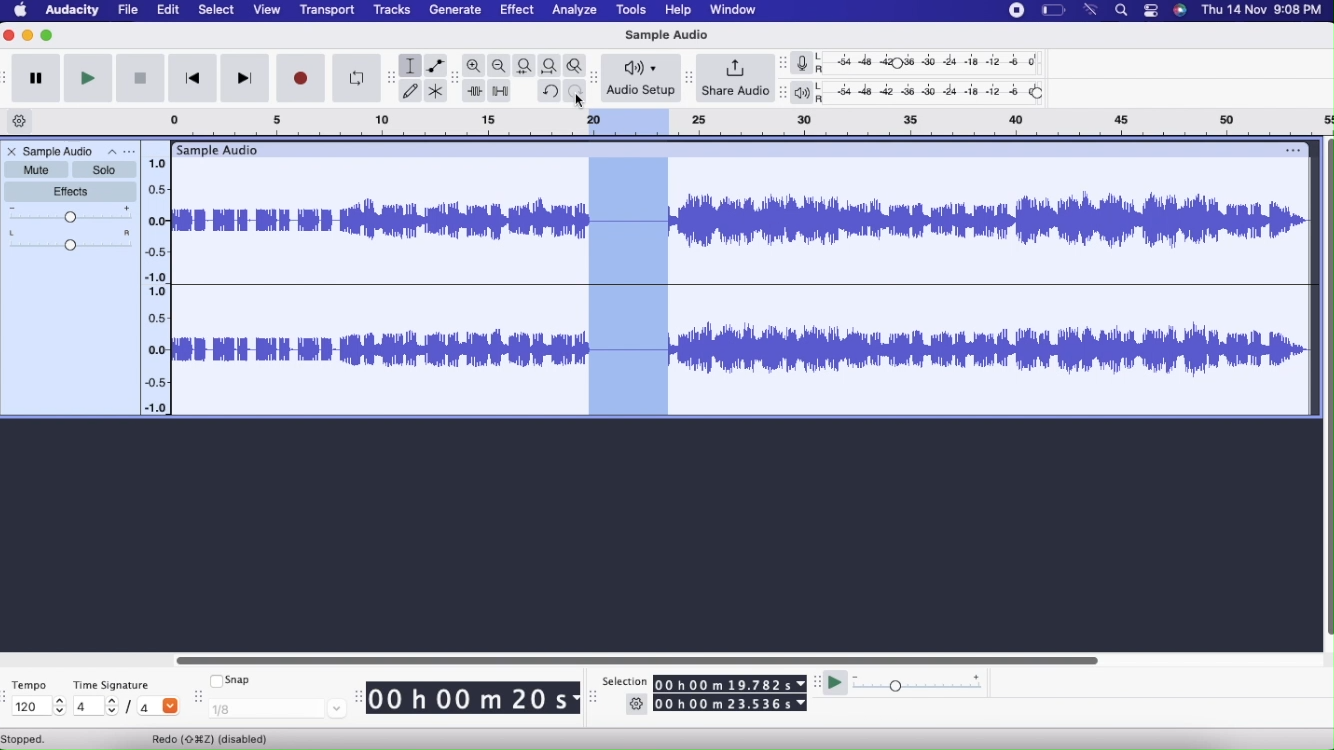  What do you see at coordinates (411, 91) in the screenshot?
I see `Draw tool` at bounding box center [411, 91].